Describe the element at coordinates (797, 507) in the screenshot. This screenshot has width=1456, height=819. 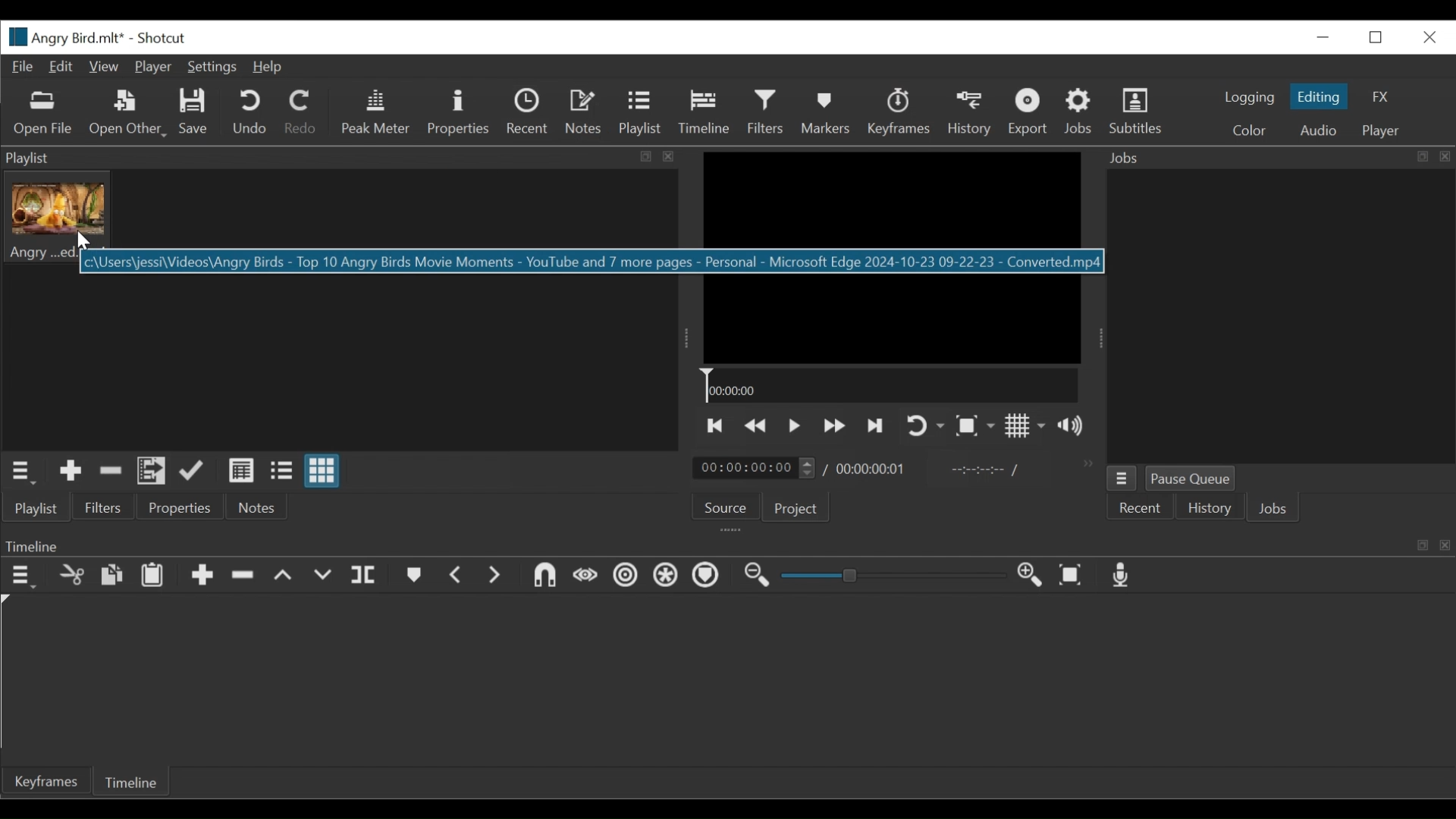
I see `Projects` at that location.